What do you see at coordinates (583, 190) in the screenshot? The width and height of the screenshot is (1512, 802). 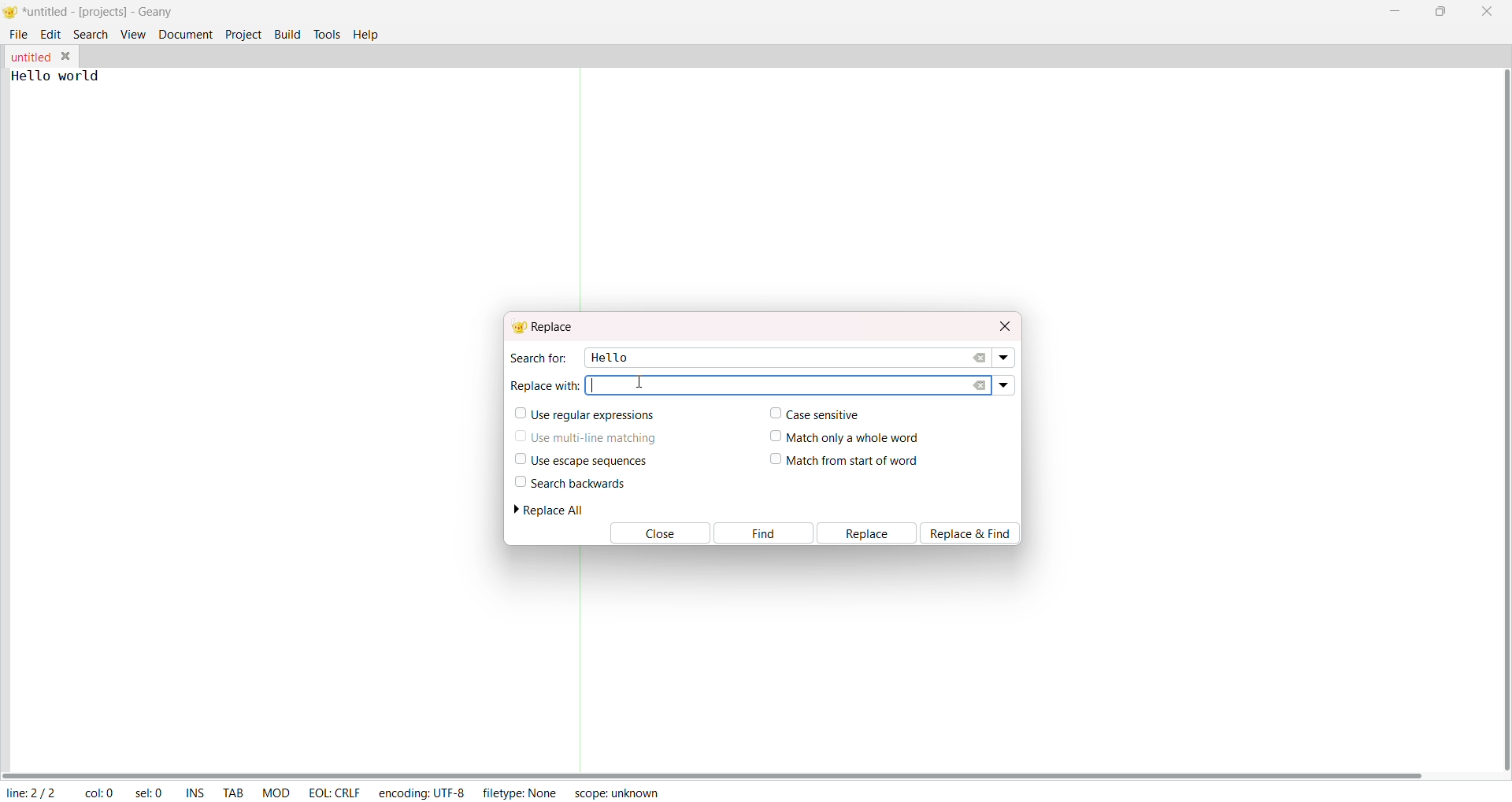 I see `Separator` at bounding box center [583, 190].